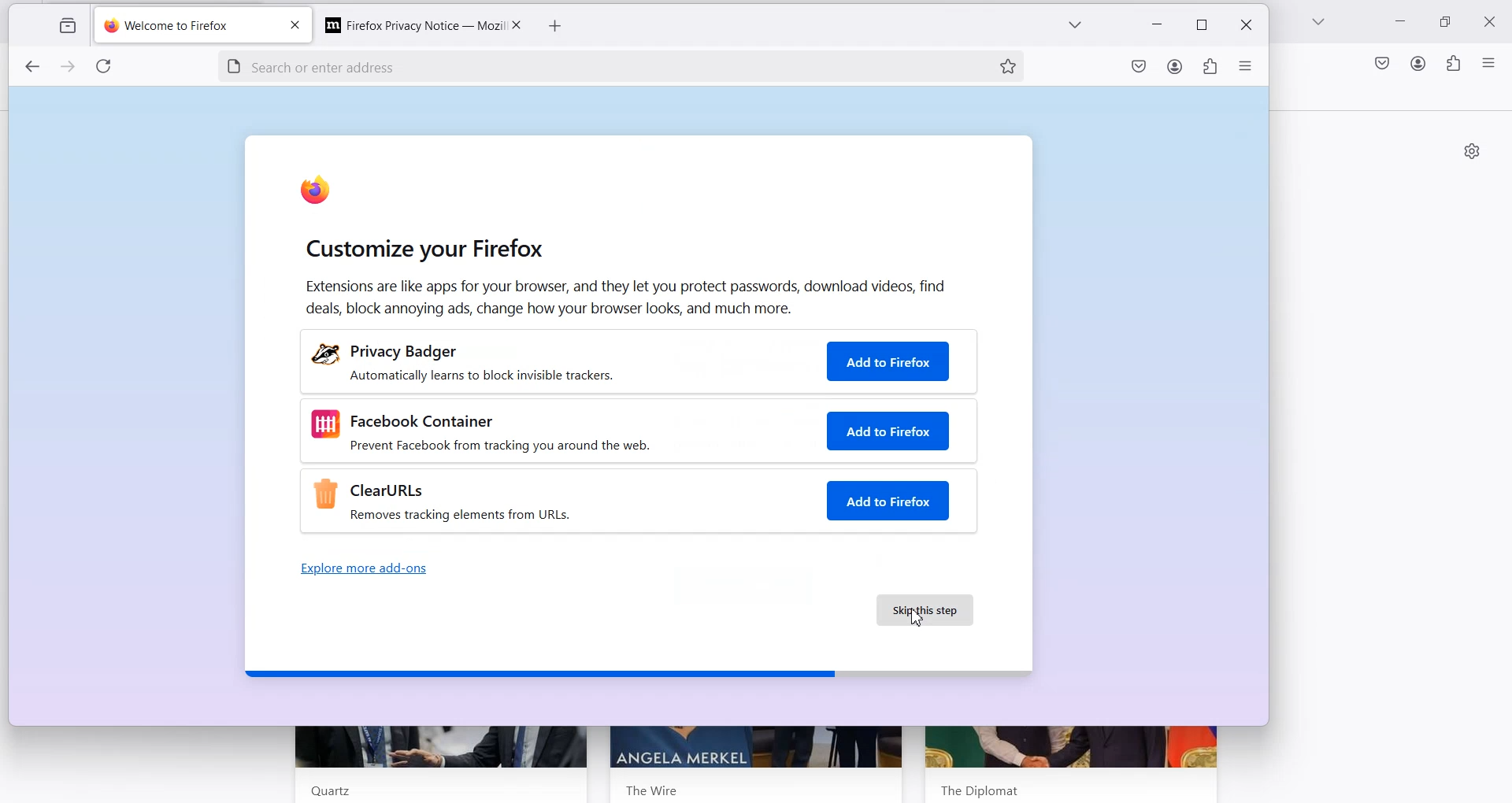  What do you see at coordinates (466, 517) in the screenshot?
I see `Removes tracking elements from URLs.` at bounding box center [466, 517].